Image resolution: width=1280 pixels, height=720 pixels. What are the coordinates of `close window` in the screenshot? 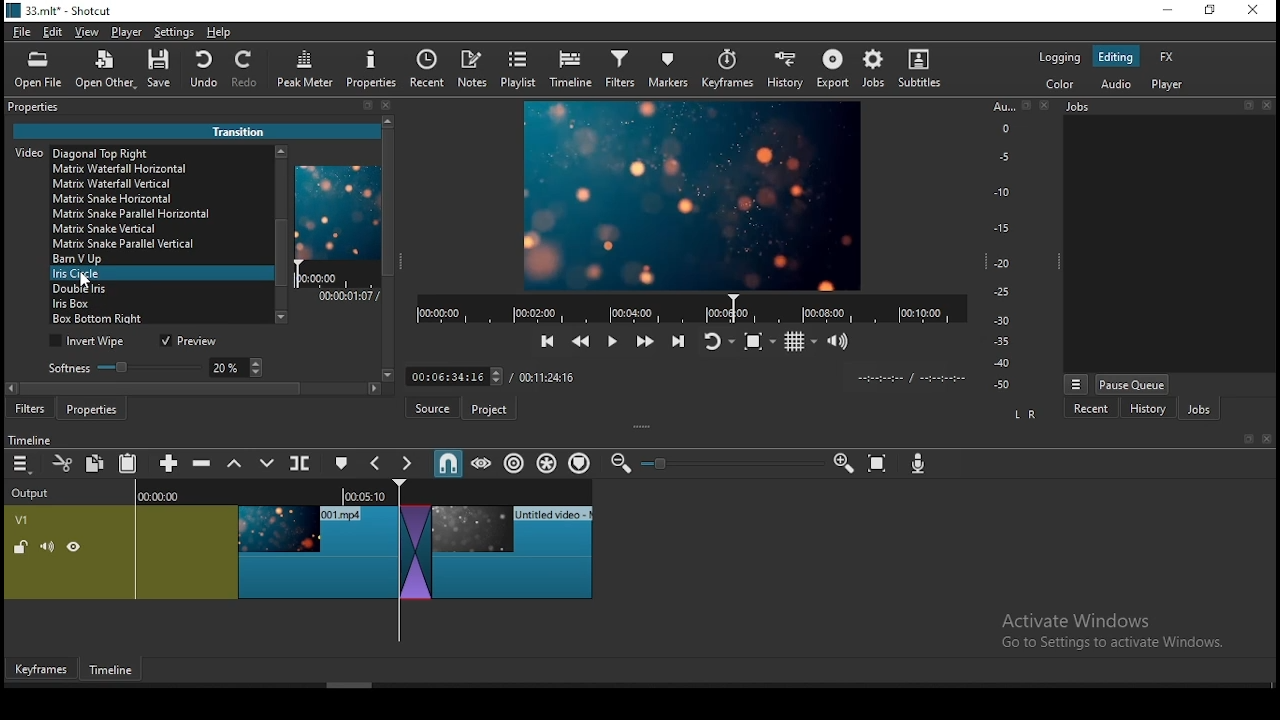 It's located at (1252, 11).